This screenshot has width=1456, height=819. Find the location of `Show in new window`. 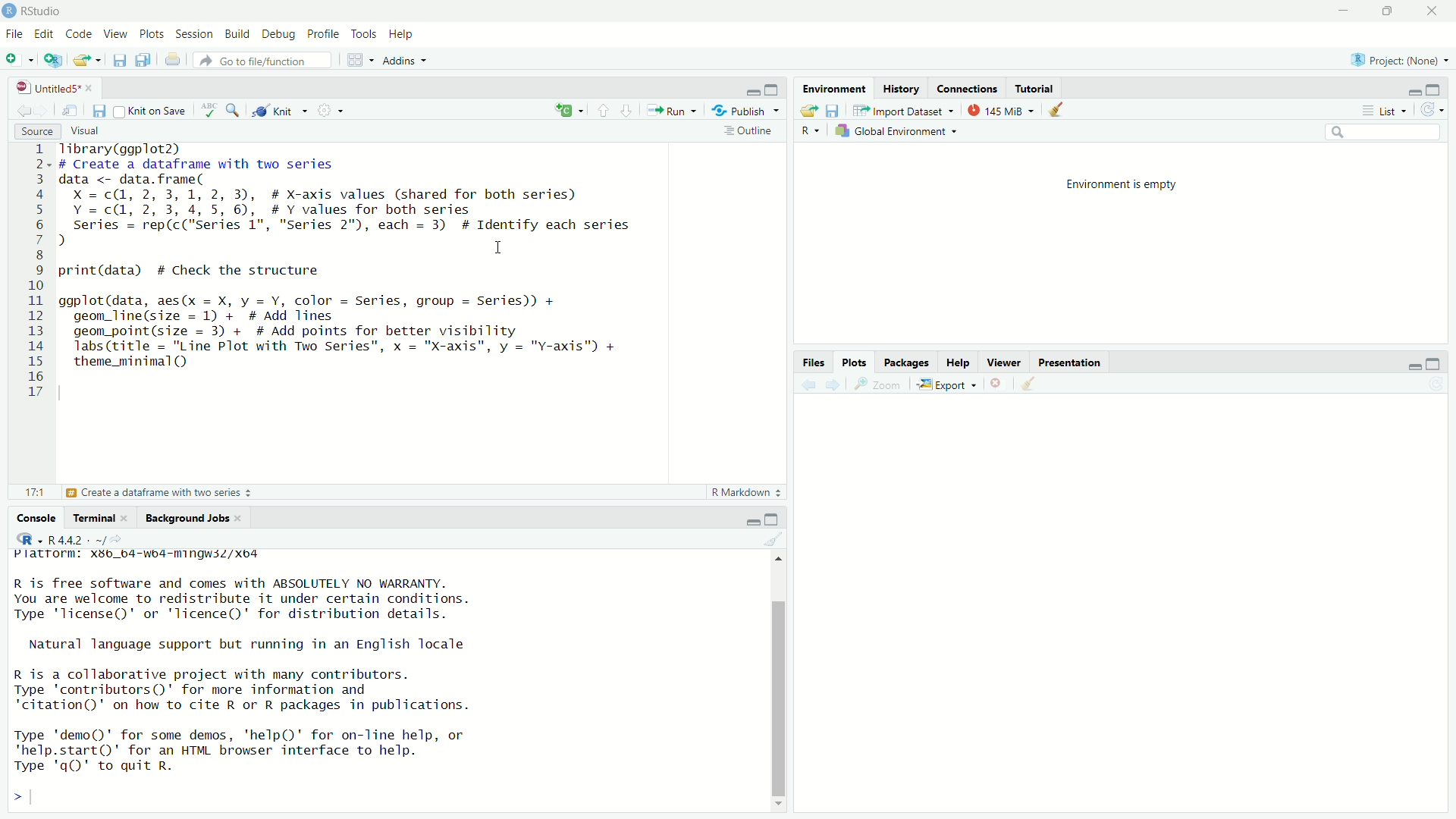

Show in new window is located at coordinates (71, 111).